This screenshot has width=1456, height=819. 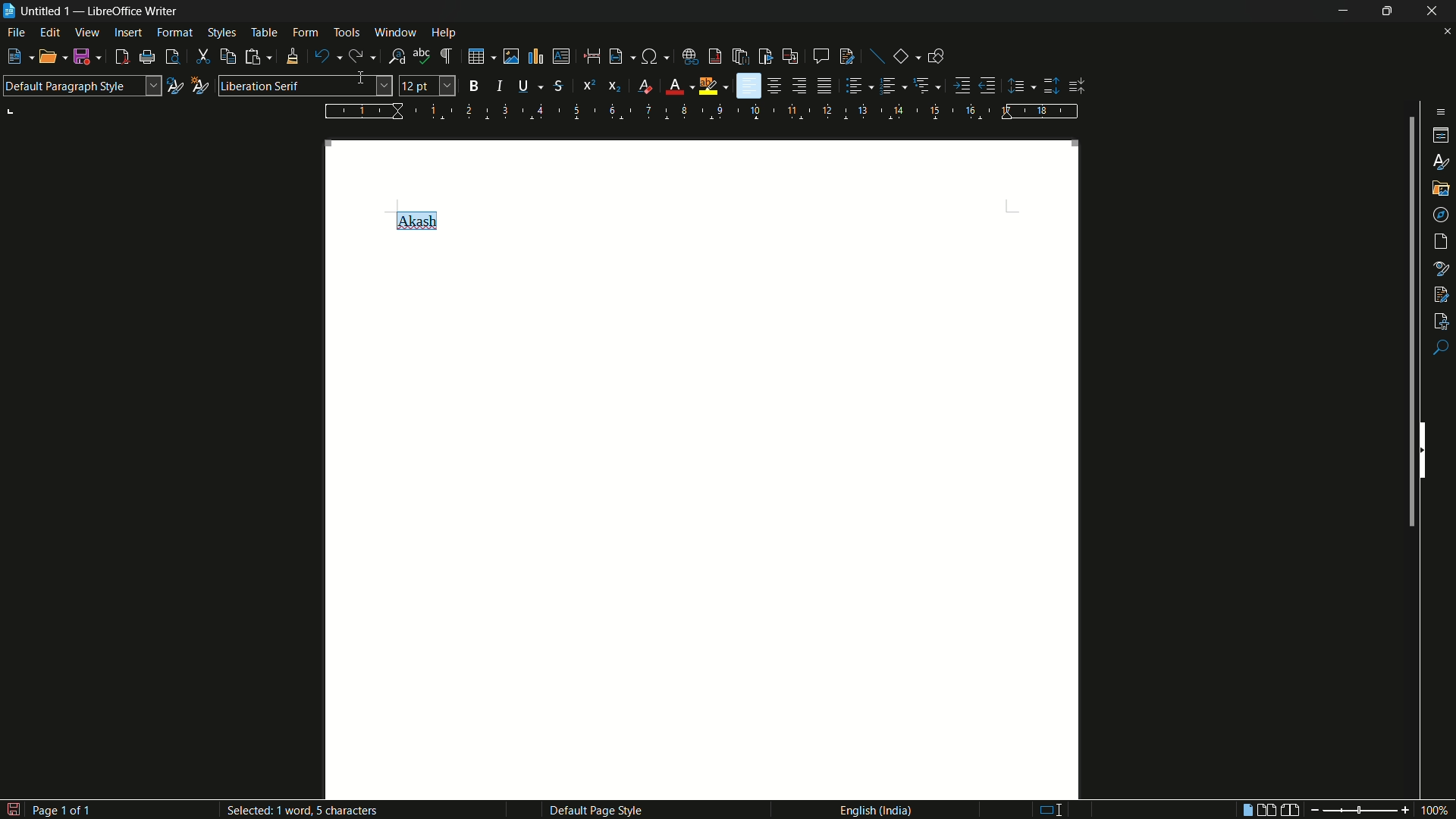 What do you see at coordinates (890, 85) in the screenshot?
I see `toggle ordered list` at bounding box center [890, 85].